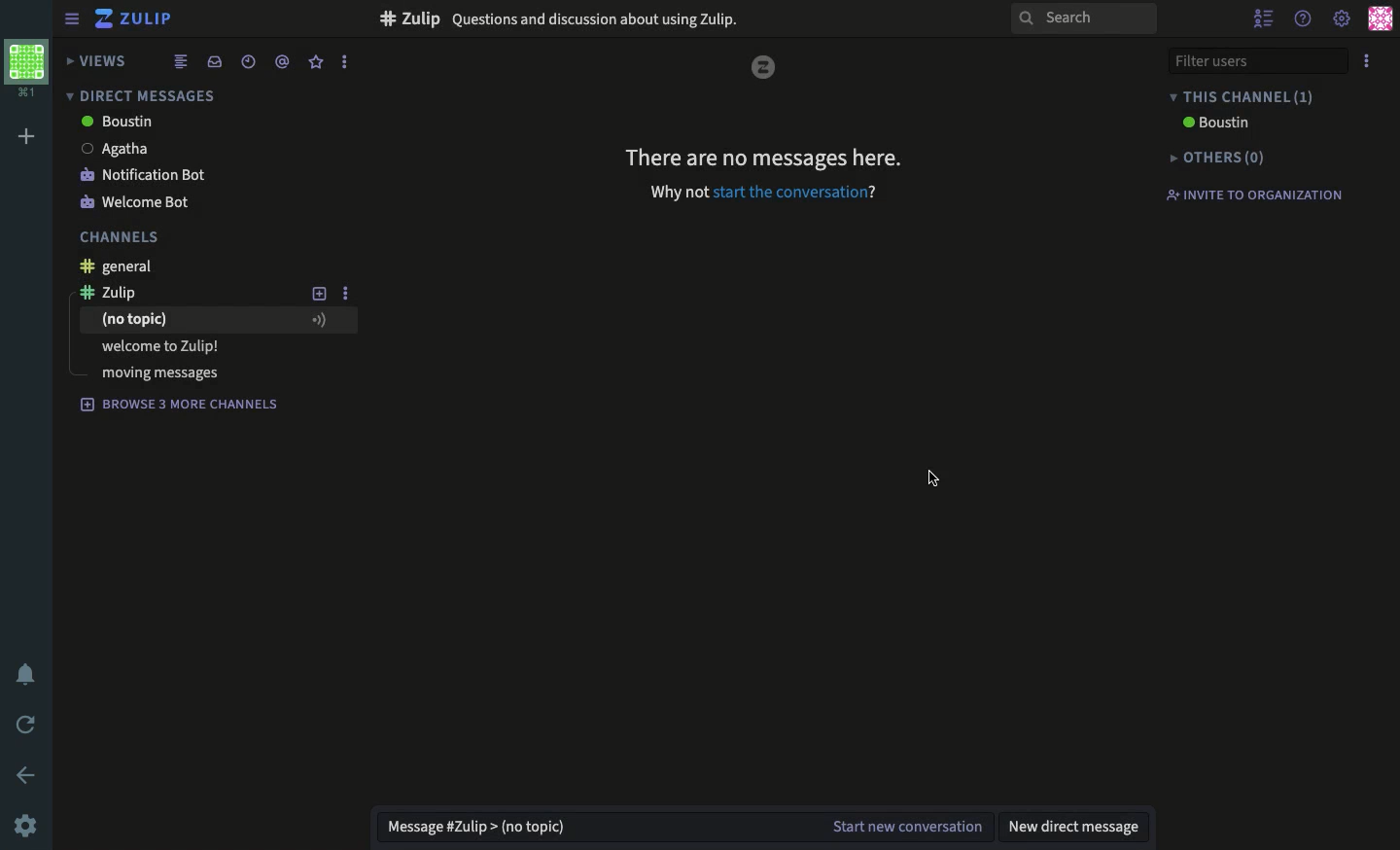 This screenshot has height=850, width=1400. What do you see at coordinates (1266, 96) in the screenshot?
I see `This conversation` at bounding box center [1266, 96].